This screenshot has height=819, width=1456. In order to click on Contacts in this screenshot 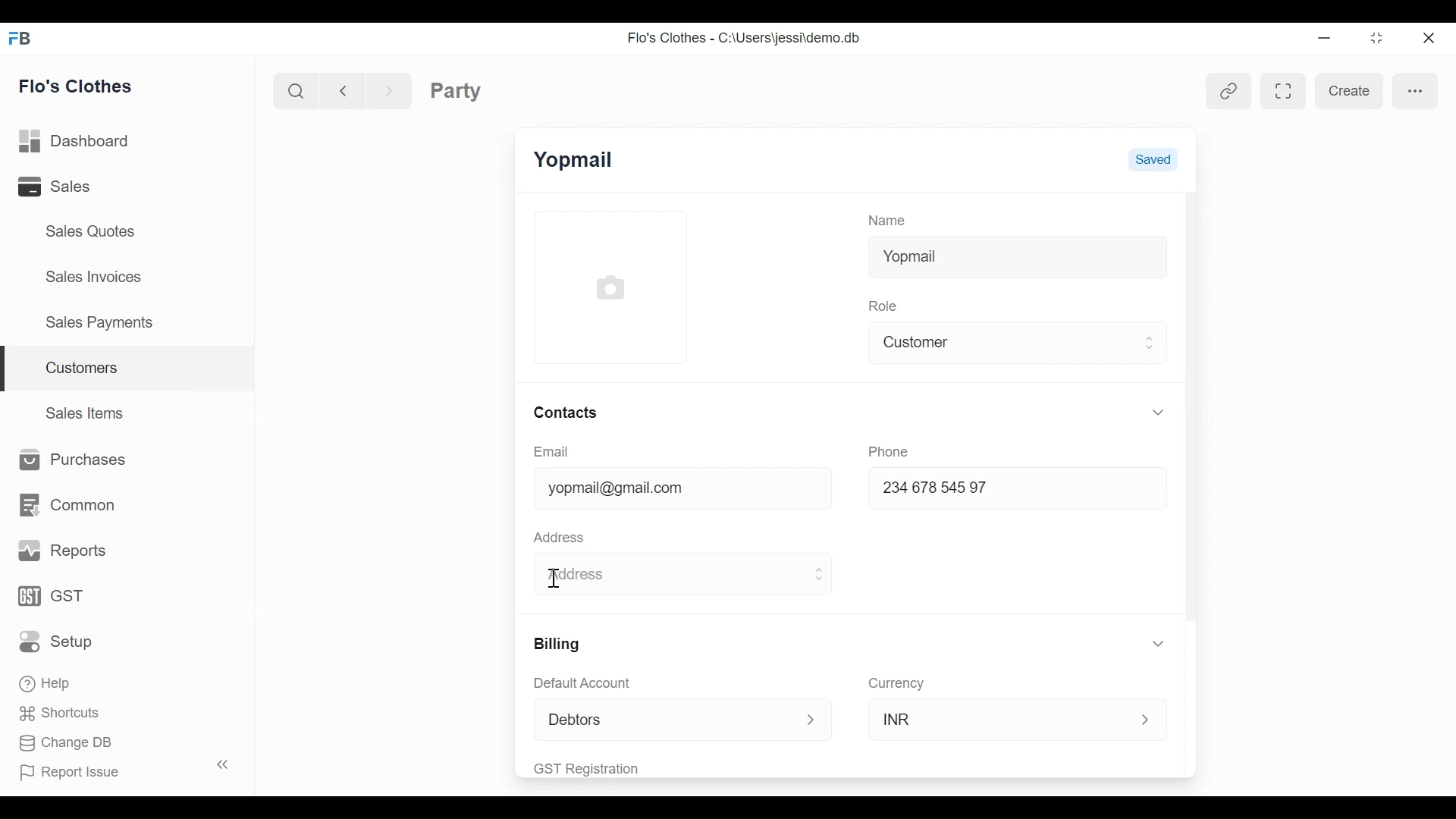, I will do `click(571, 413)`.